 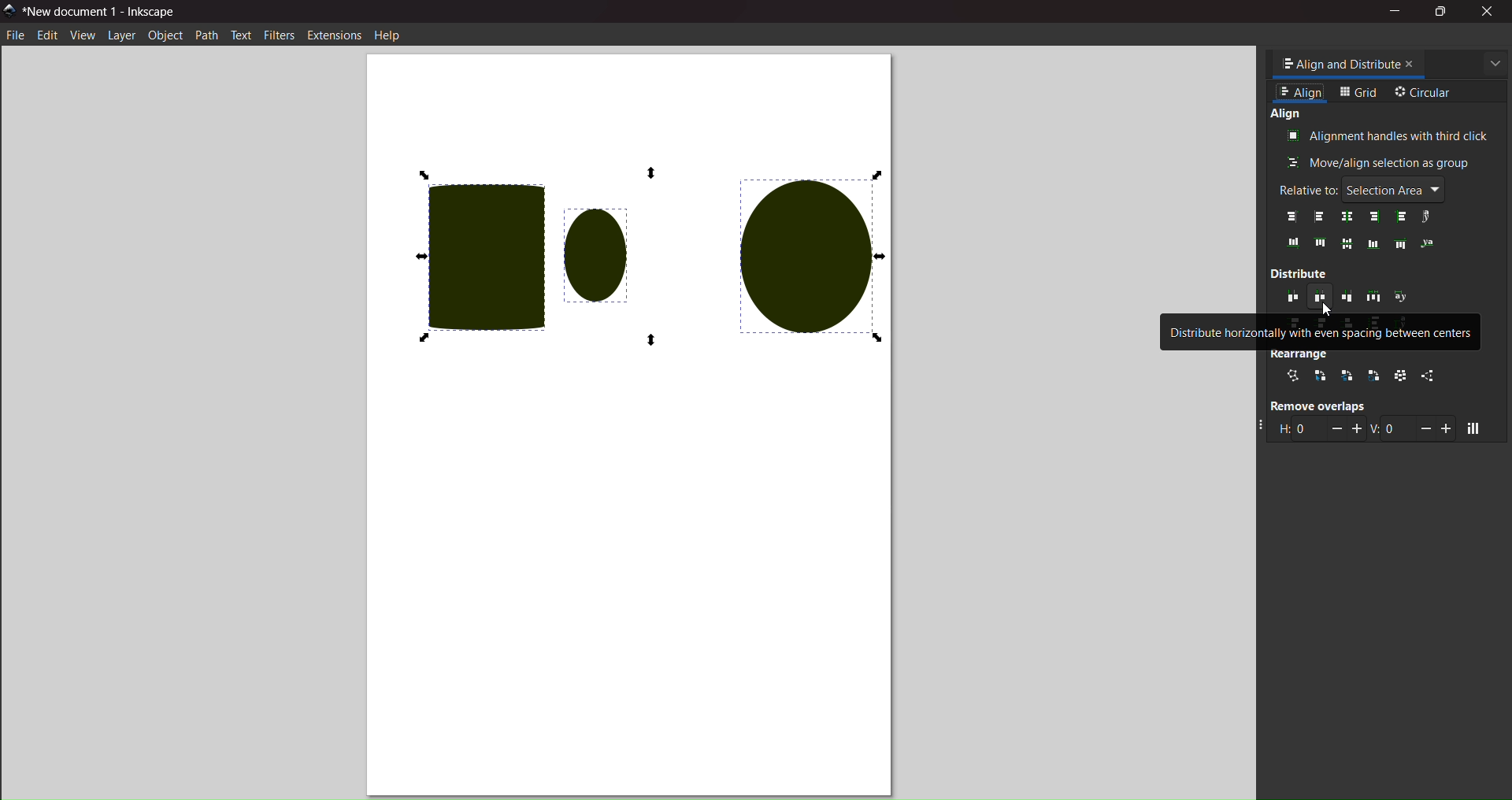 I want to click on minimize, so click(x=1395, y=13).